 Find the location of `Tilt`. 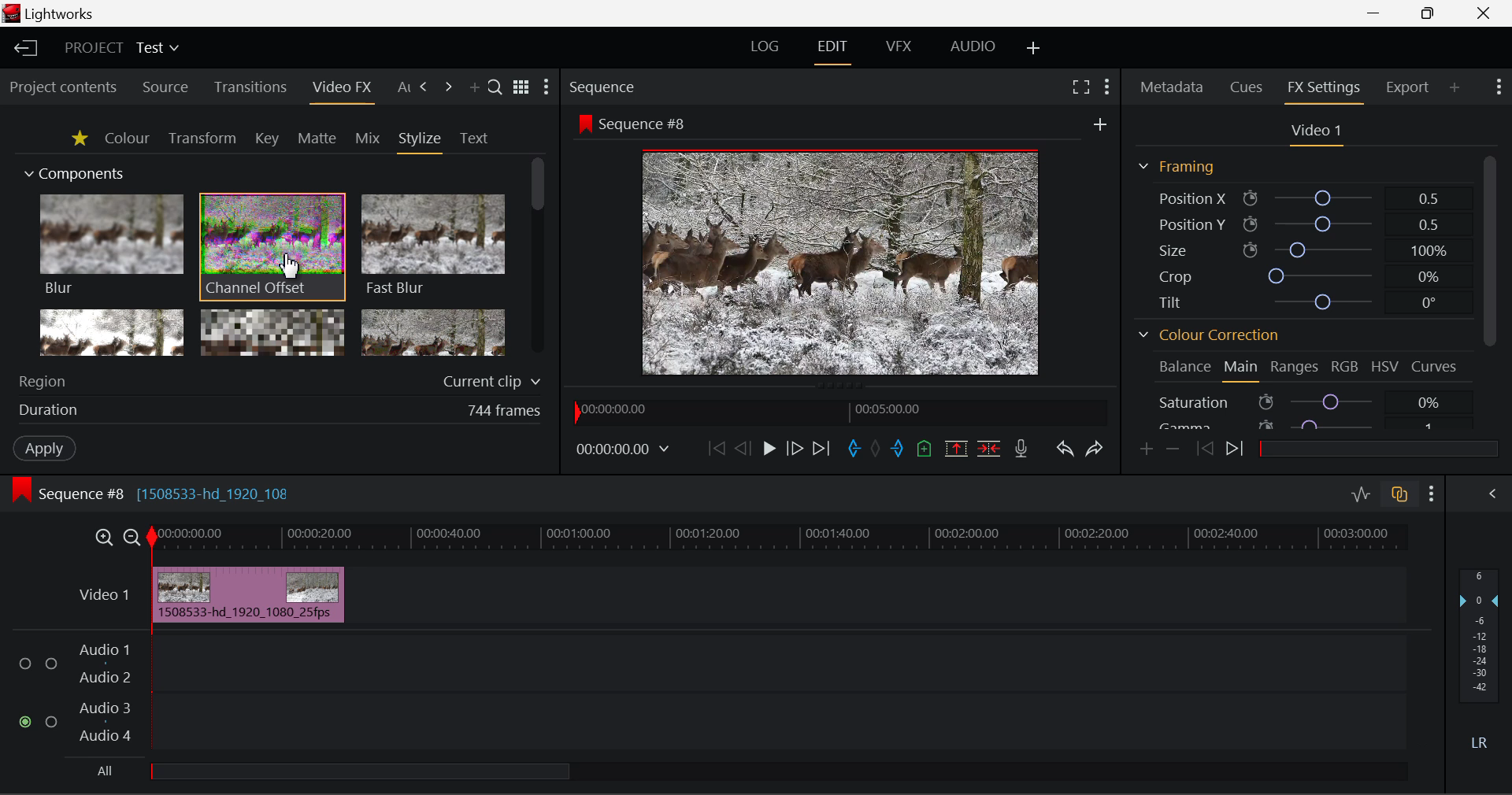

Tilt is located at coordinates (1306, 301).